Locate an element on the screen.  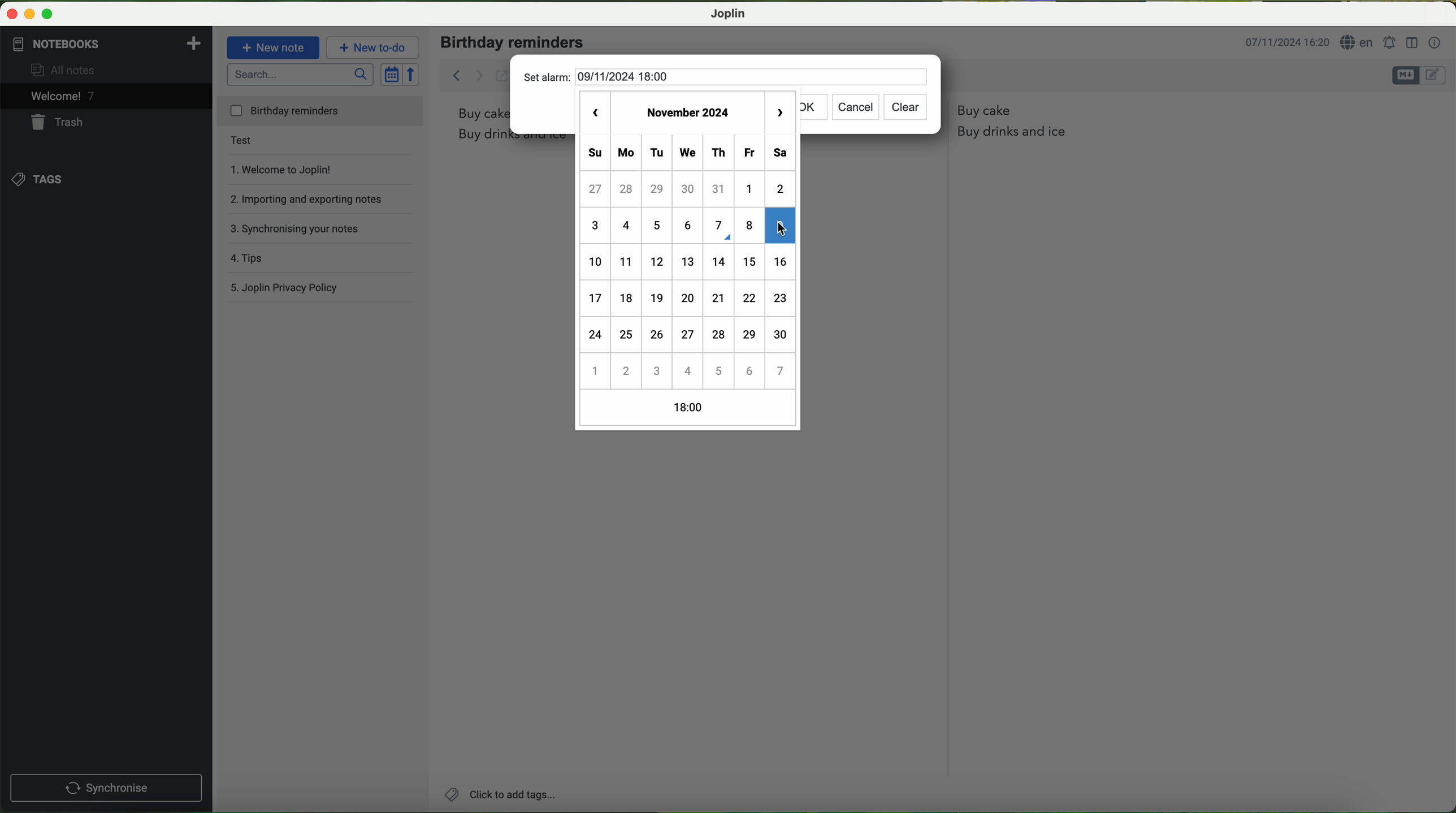
18:00 is located at coordinates (666, 410).